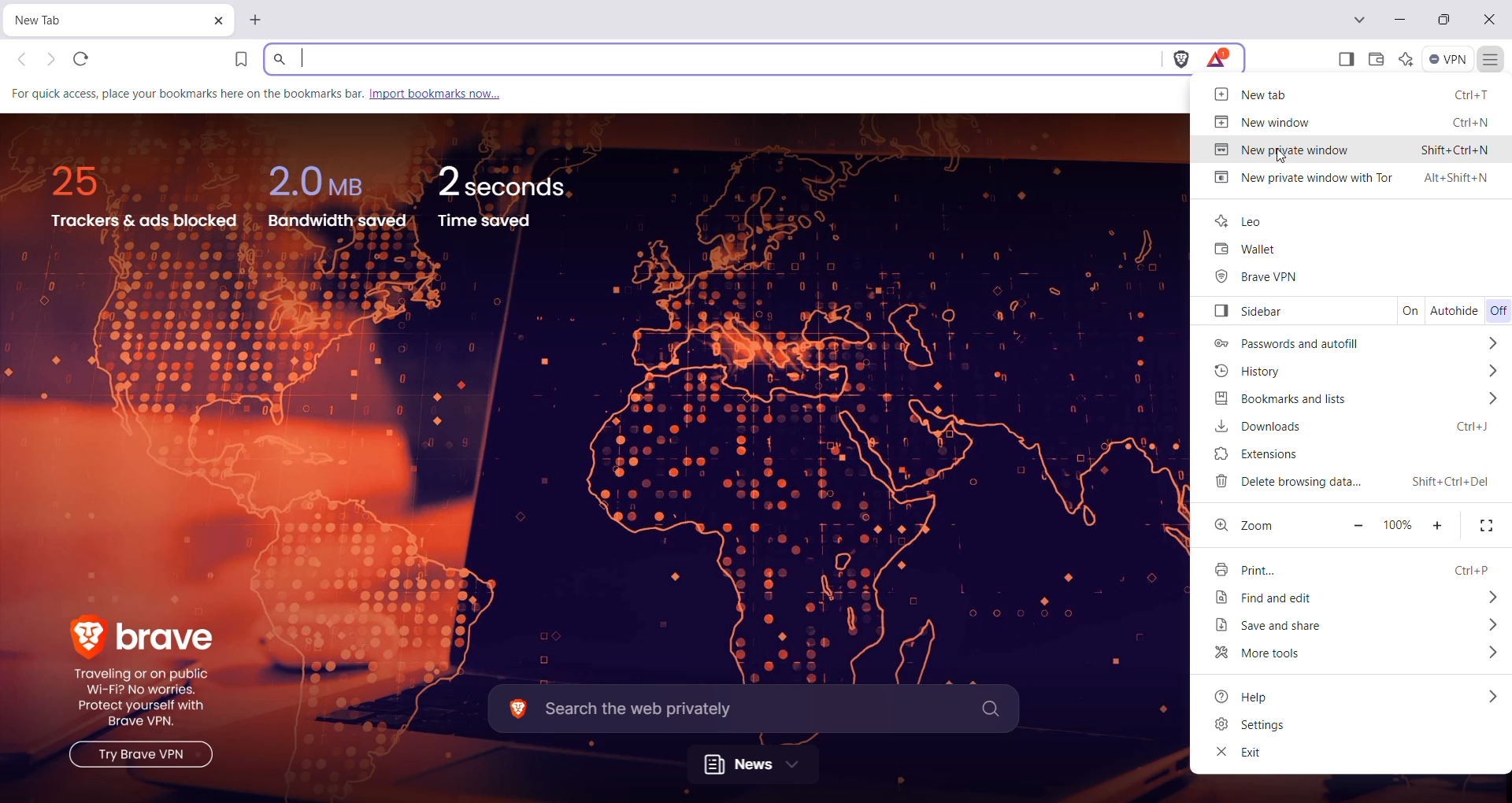 This screenshot has height=803, width=1512. What do you see at coordinates (1180, 57) in the screenshot?
I see `Brave Shields` at bounding box center [1180, 57].